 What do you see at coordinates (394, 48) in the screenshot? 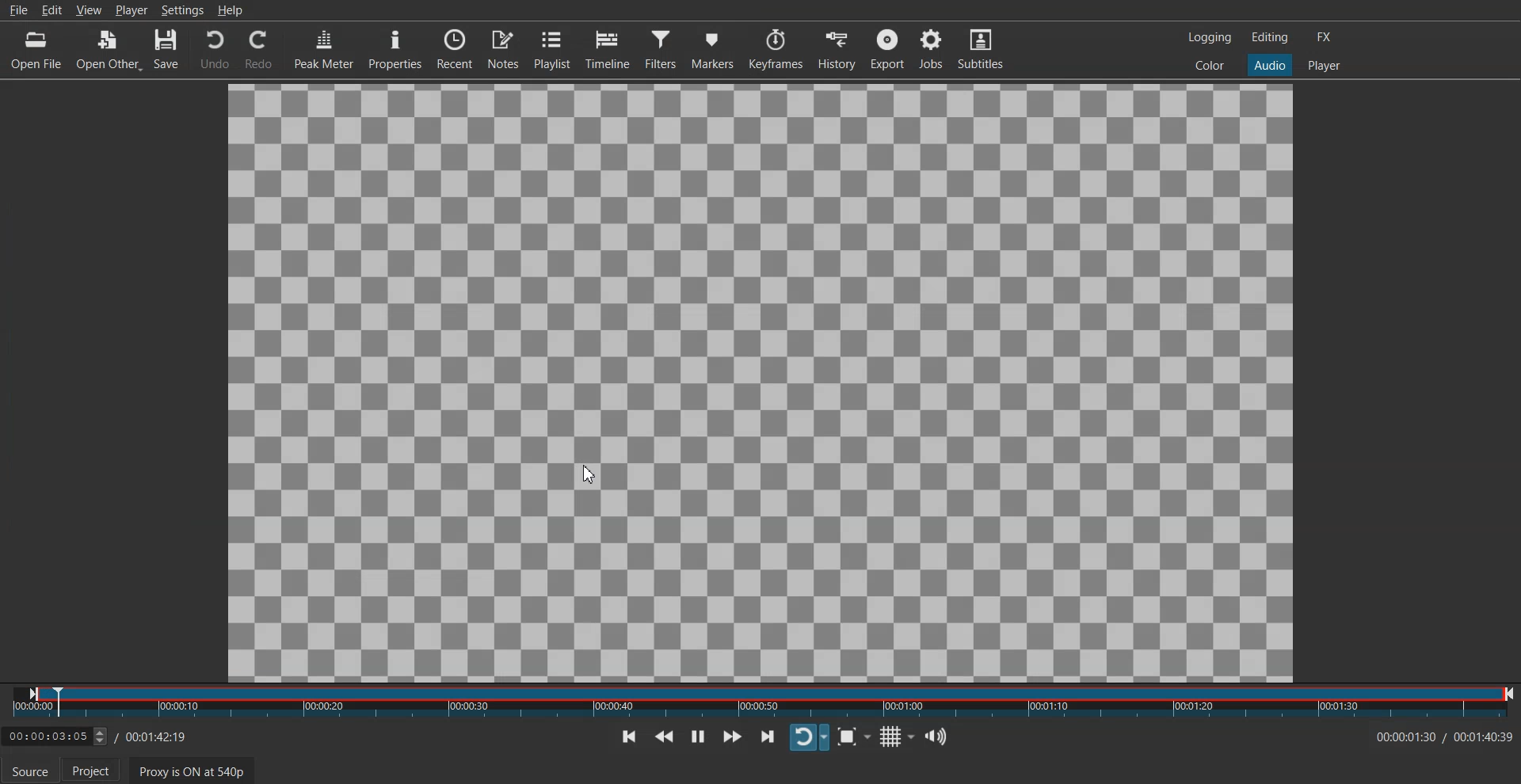
I see `Properties` at bounding box center [394, 48].